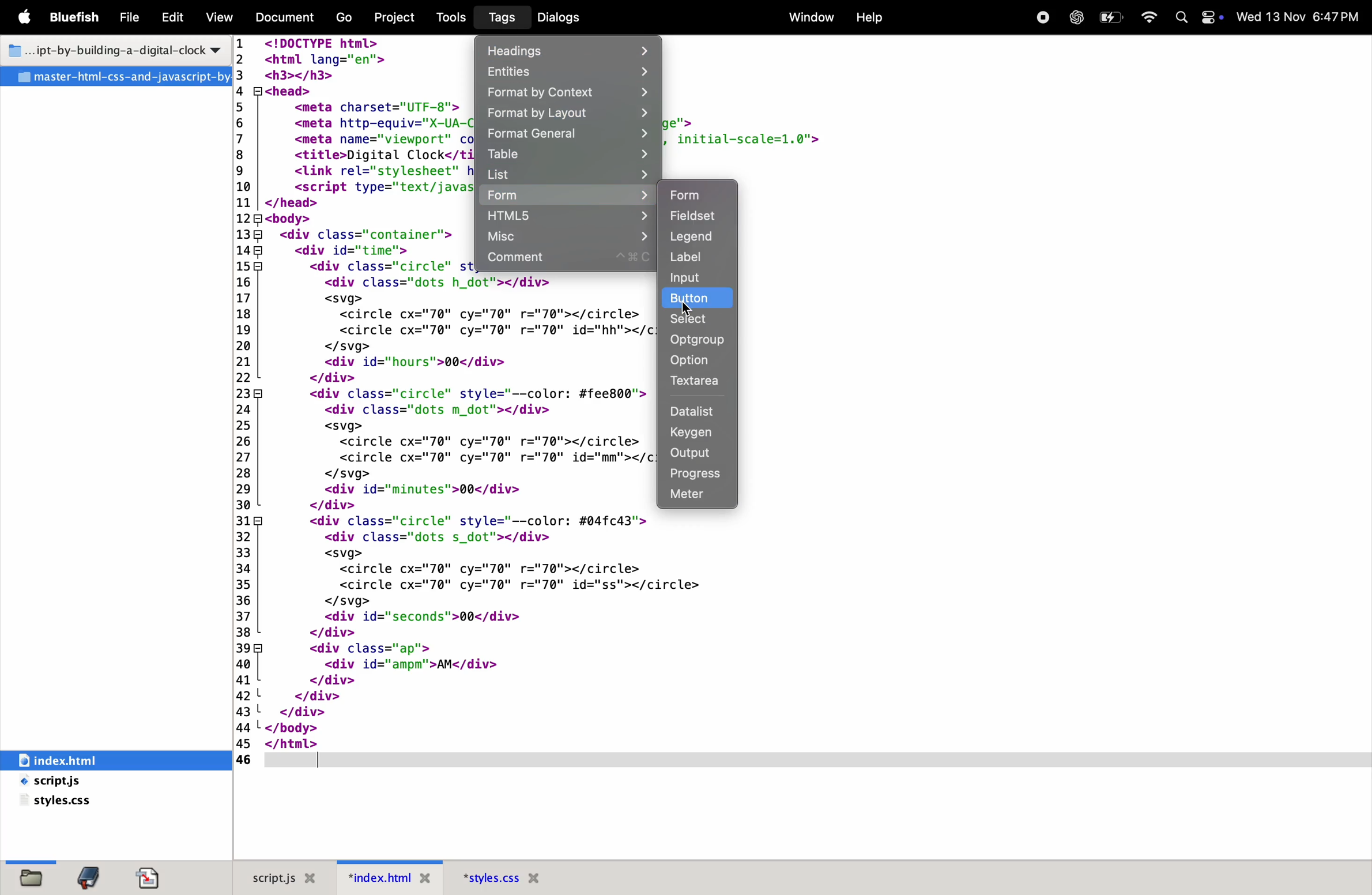 This screenshot has width=1372, height=895. What do you see at coordinates (1039, 17) in the screenshot?
I see `record` at bounding box center [1039, 17].